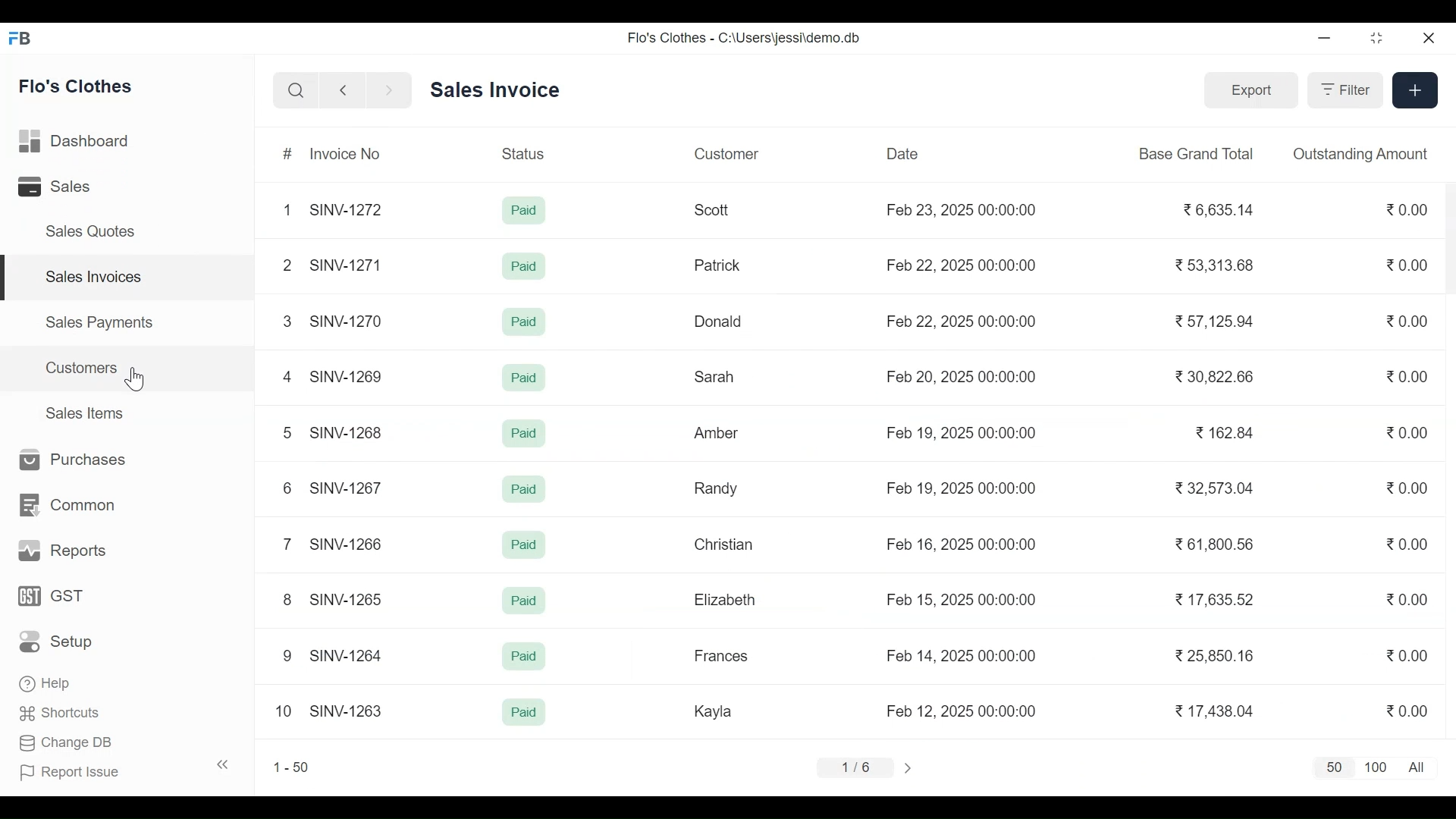 Image resolution: width=1456 pixels, height=819 pixels. I want to click on 53,313.68, so click(1216, 265).